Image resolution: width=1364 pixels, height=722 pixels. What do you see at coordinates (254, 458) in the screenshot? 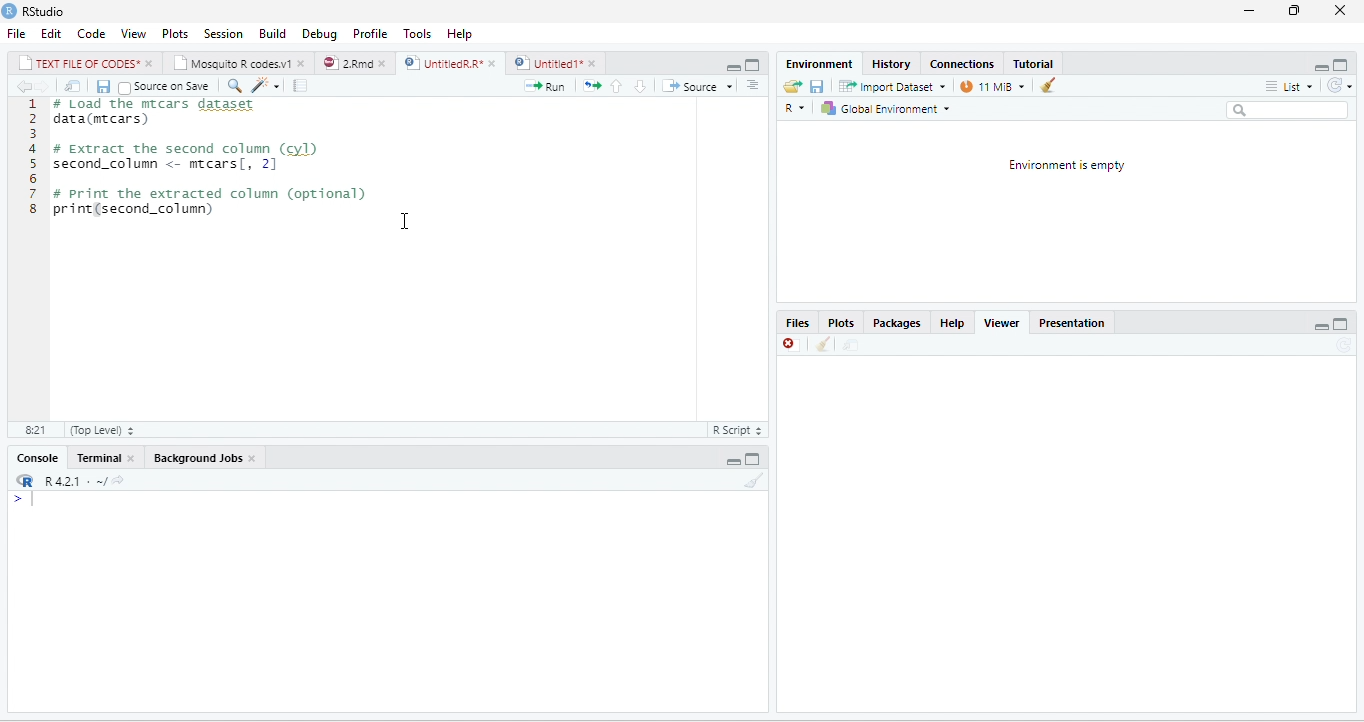
I see `close` at bounding box center [254, 458].